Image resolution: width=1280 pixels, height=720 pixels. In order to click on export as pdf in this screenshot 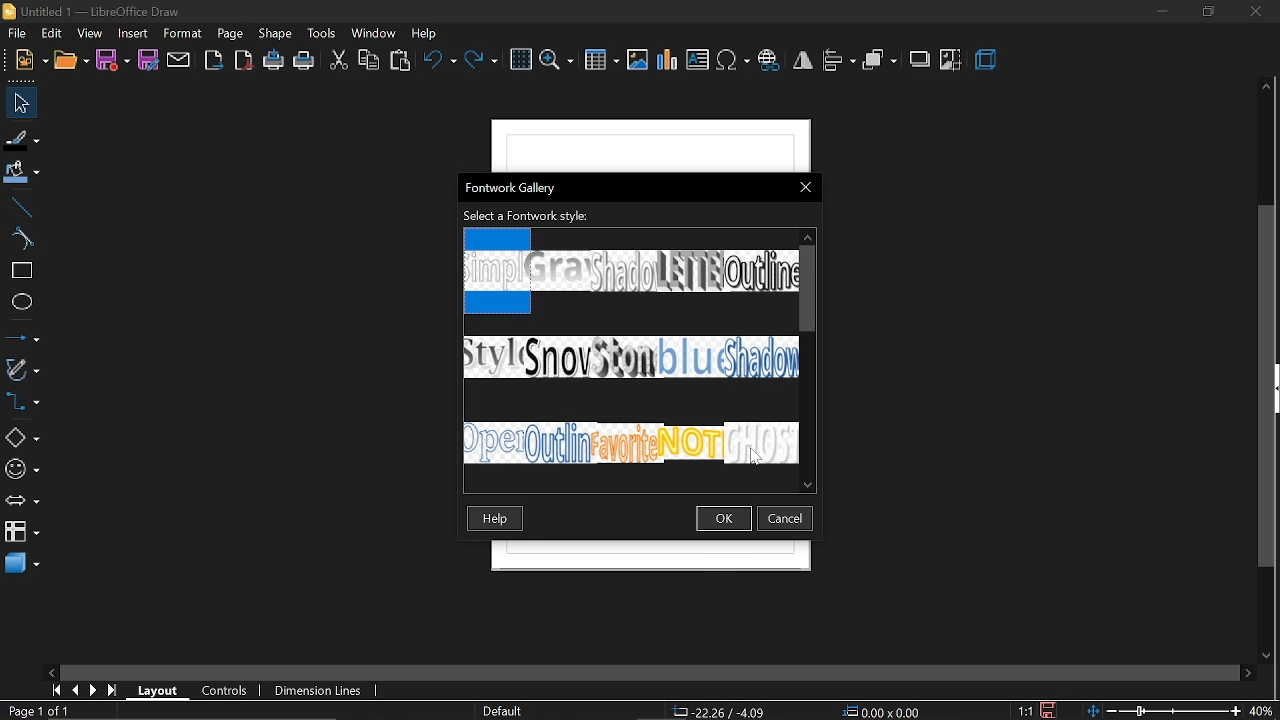, I will do `click(244, 61)`.